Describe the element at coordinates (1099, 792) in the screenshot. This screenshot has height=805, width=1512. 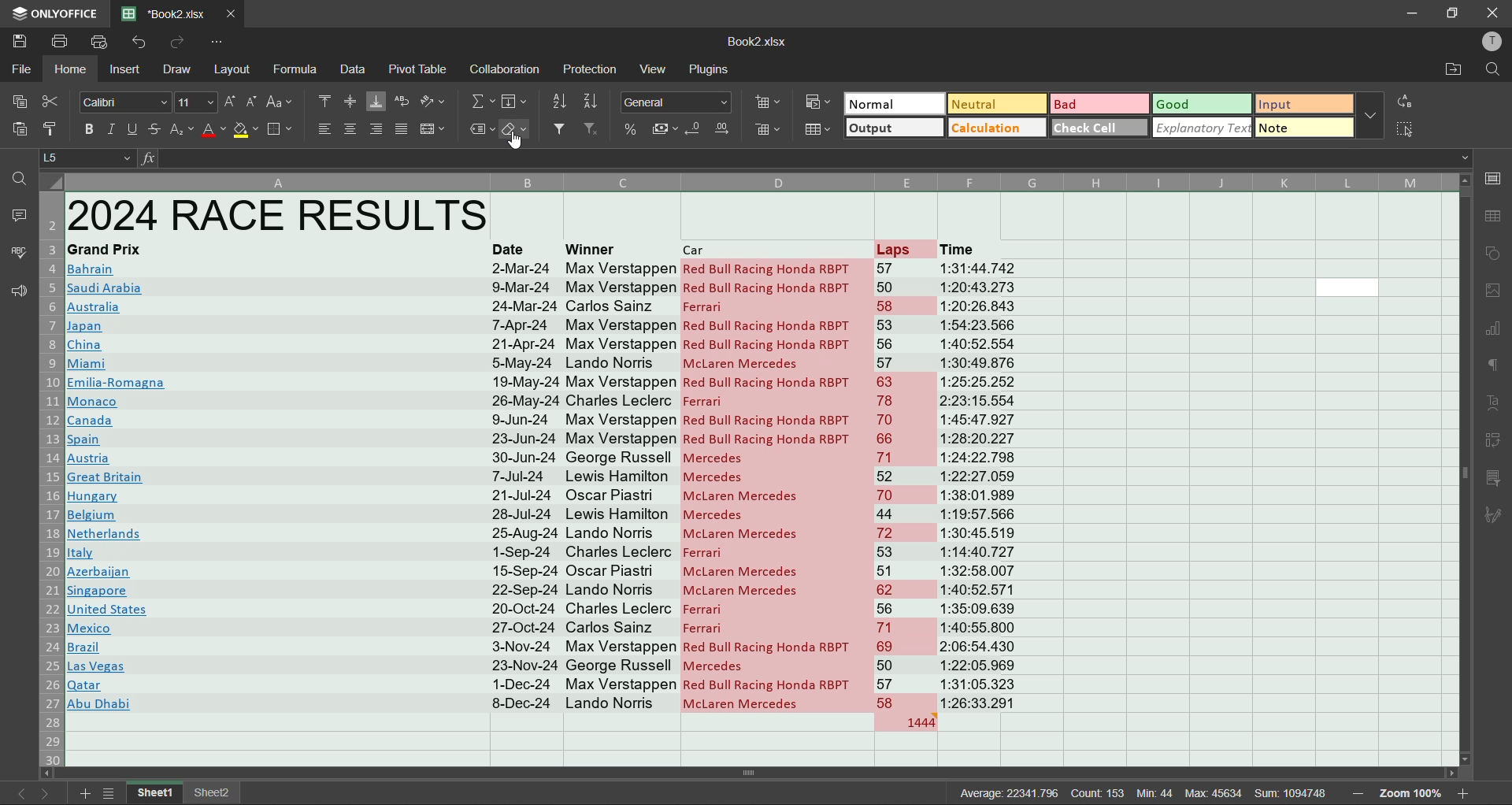
I see `count` at that location.